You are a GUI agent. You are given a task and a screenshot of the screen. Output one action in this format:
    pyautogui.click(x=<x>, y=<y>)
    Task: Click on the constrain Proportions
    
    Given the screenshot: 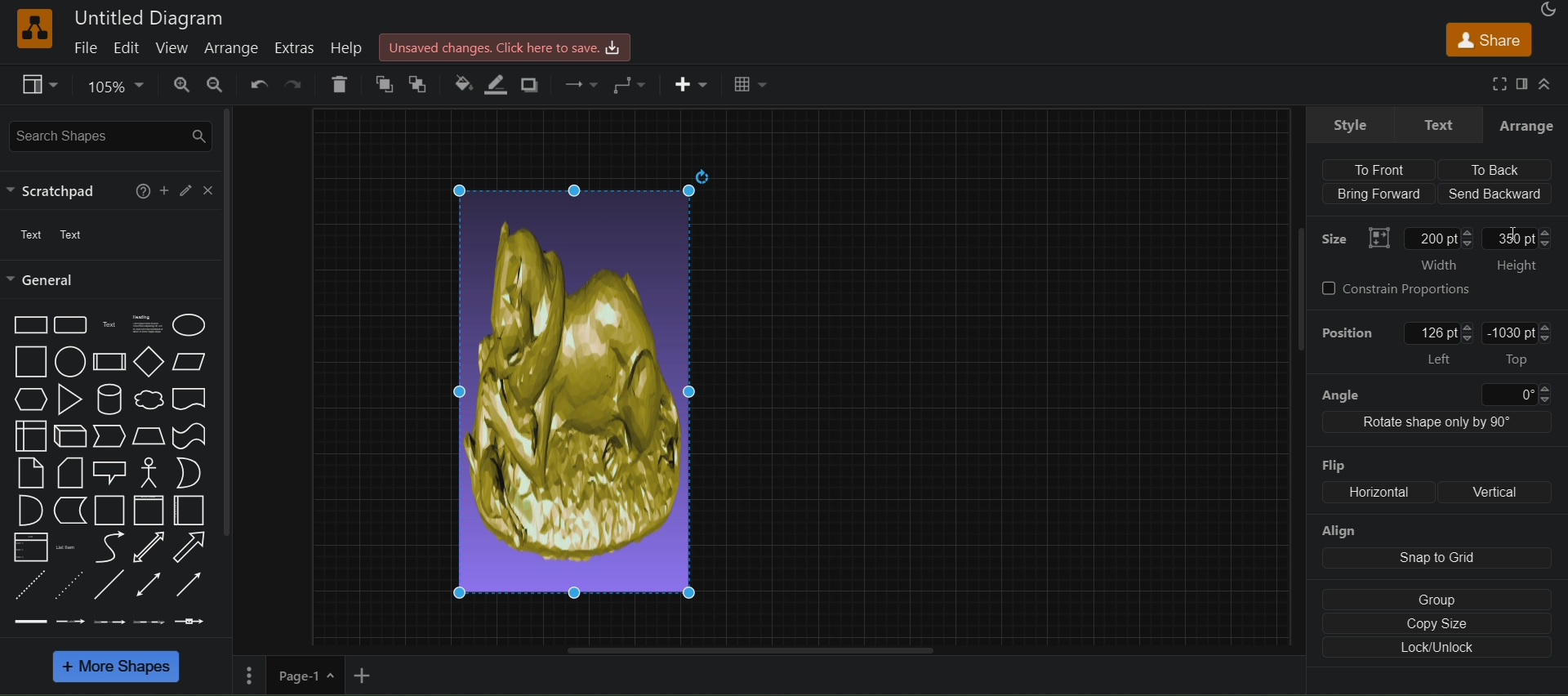 What is the action you would take?
    pyautogui.click(x=1403, y=289)
    